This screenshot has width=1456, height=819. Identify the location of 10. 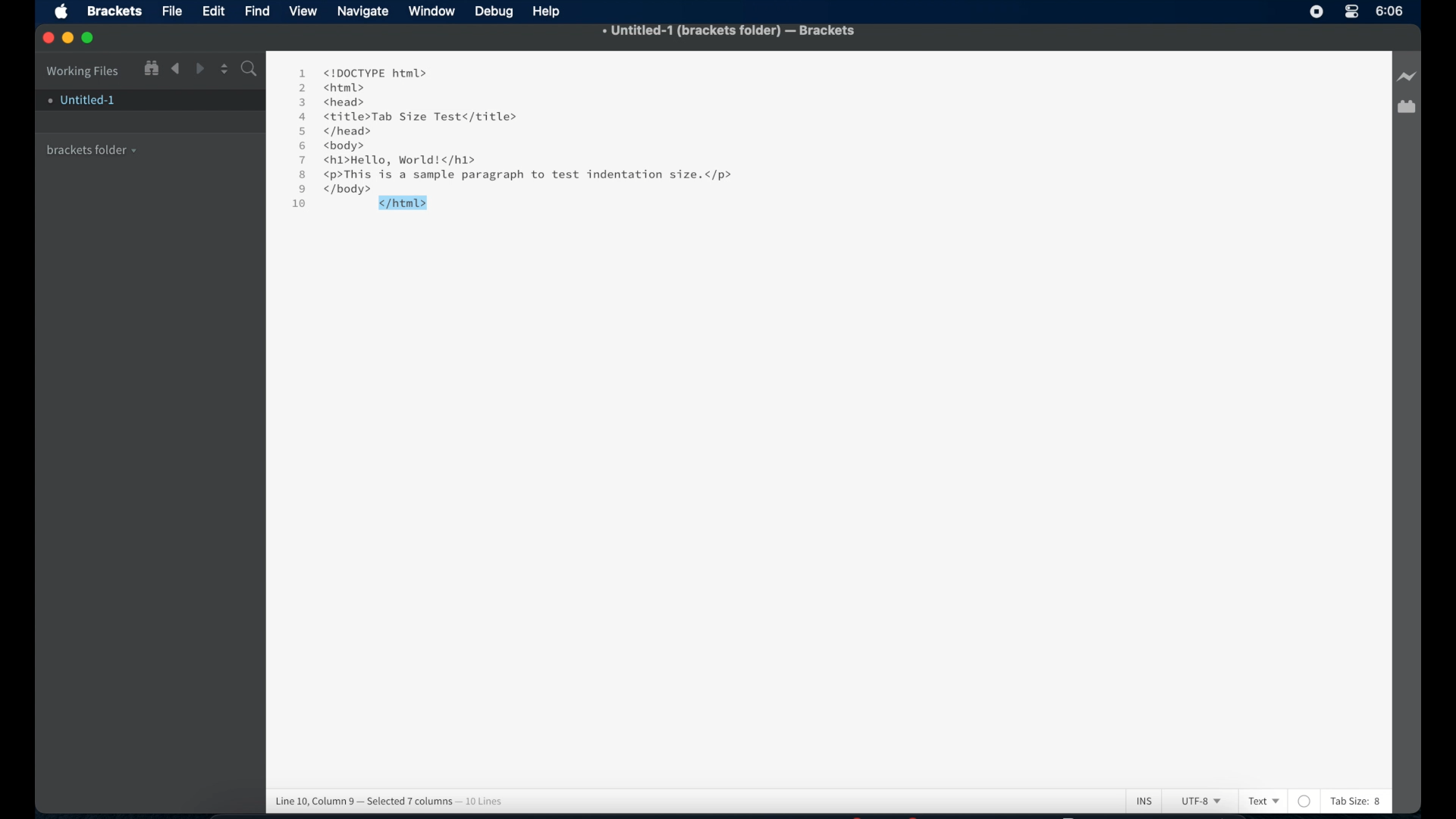
(301, 206).